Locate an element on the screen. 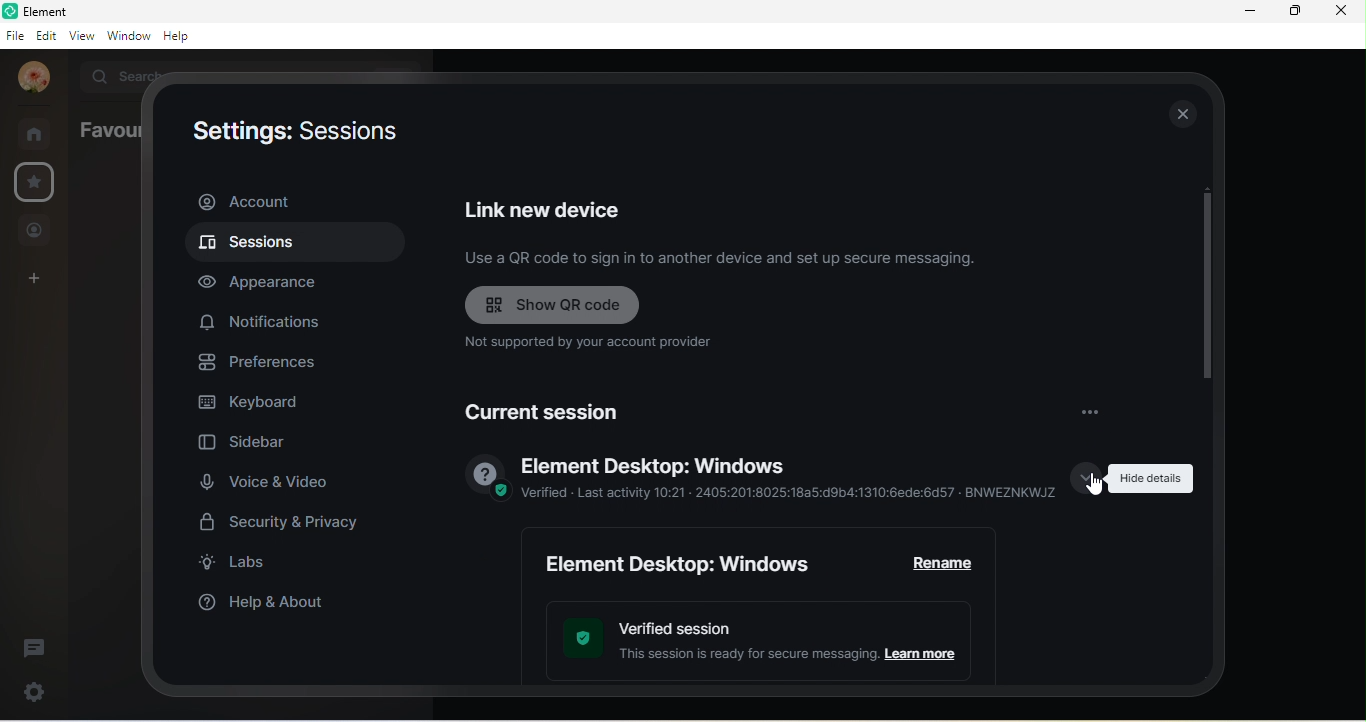  search is located at coordinates (119, 74).